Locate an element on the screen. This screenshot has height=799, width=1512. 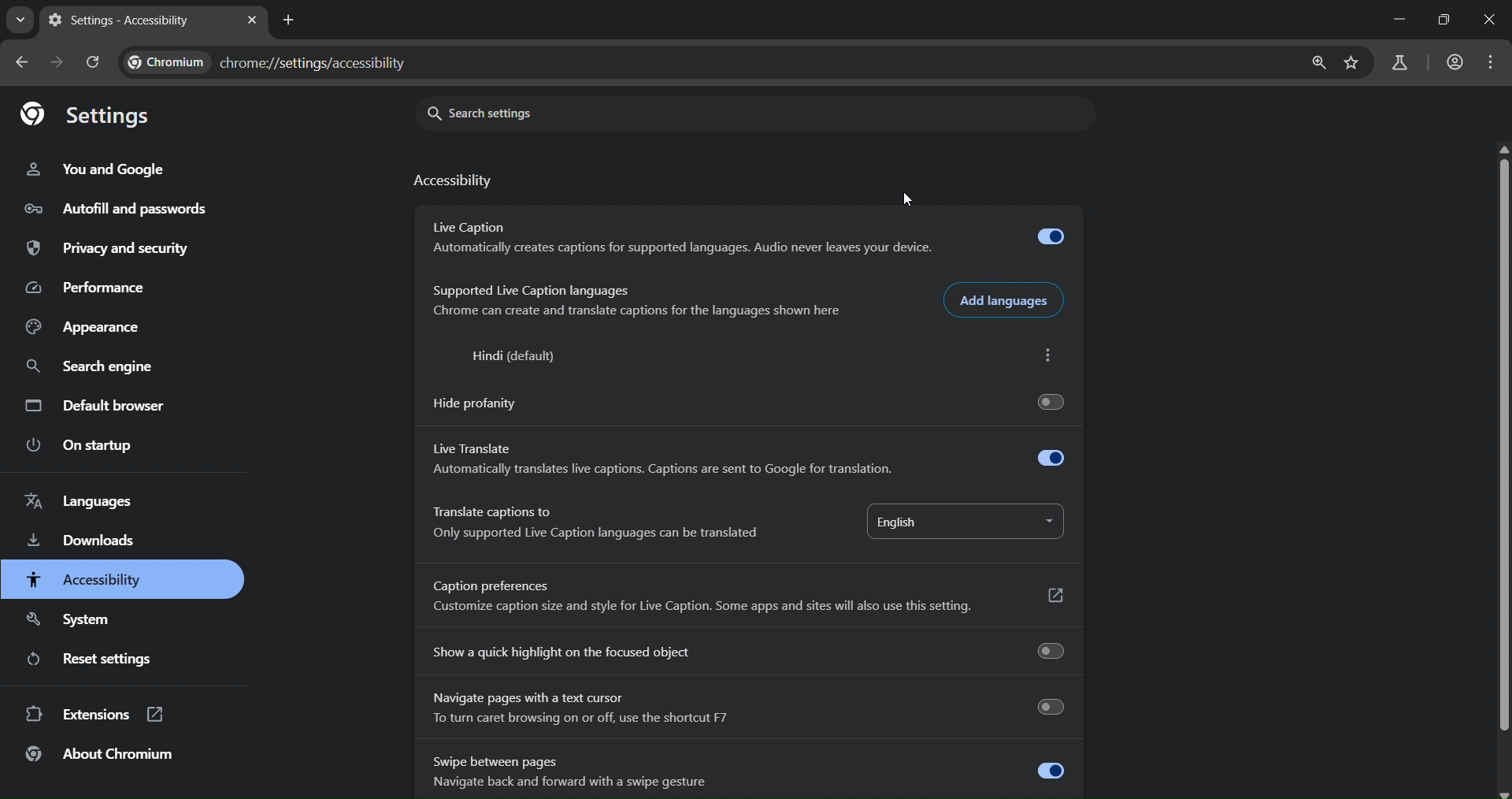
go back one page is located at coordinates (25, 62).